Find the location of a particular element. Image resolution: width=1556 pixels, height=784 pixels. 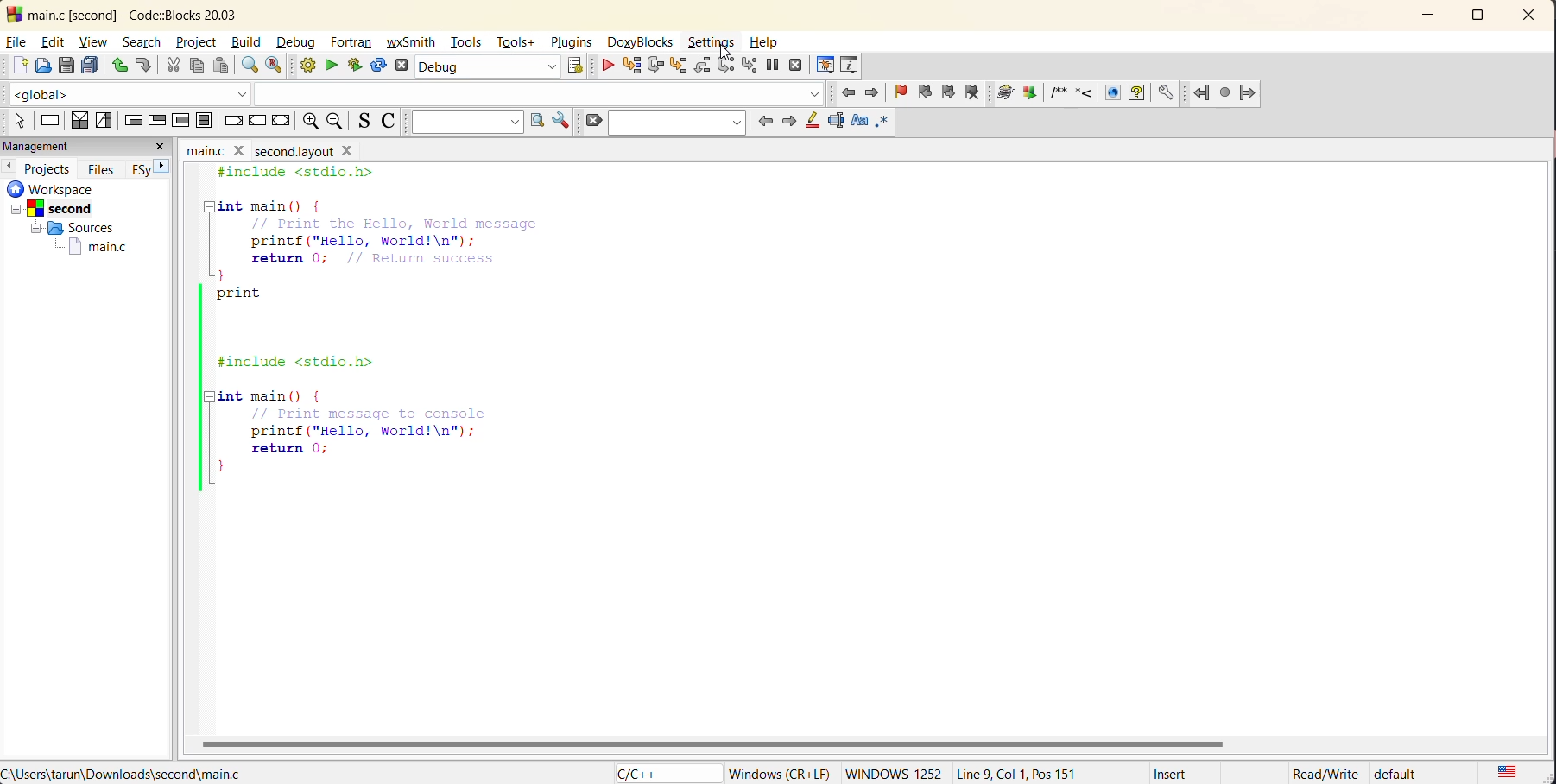

highlight is located at coordinates (813, 120).